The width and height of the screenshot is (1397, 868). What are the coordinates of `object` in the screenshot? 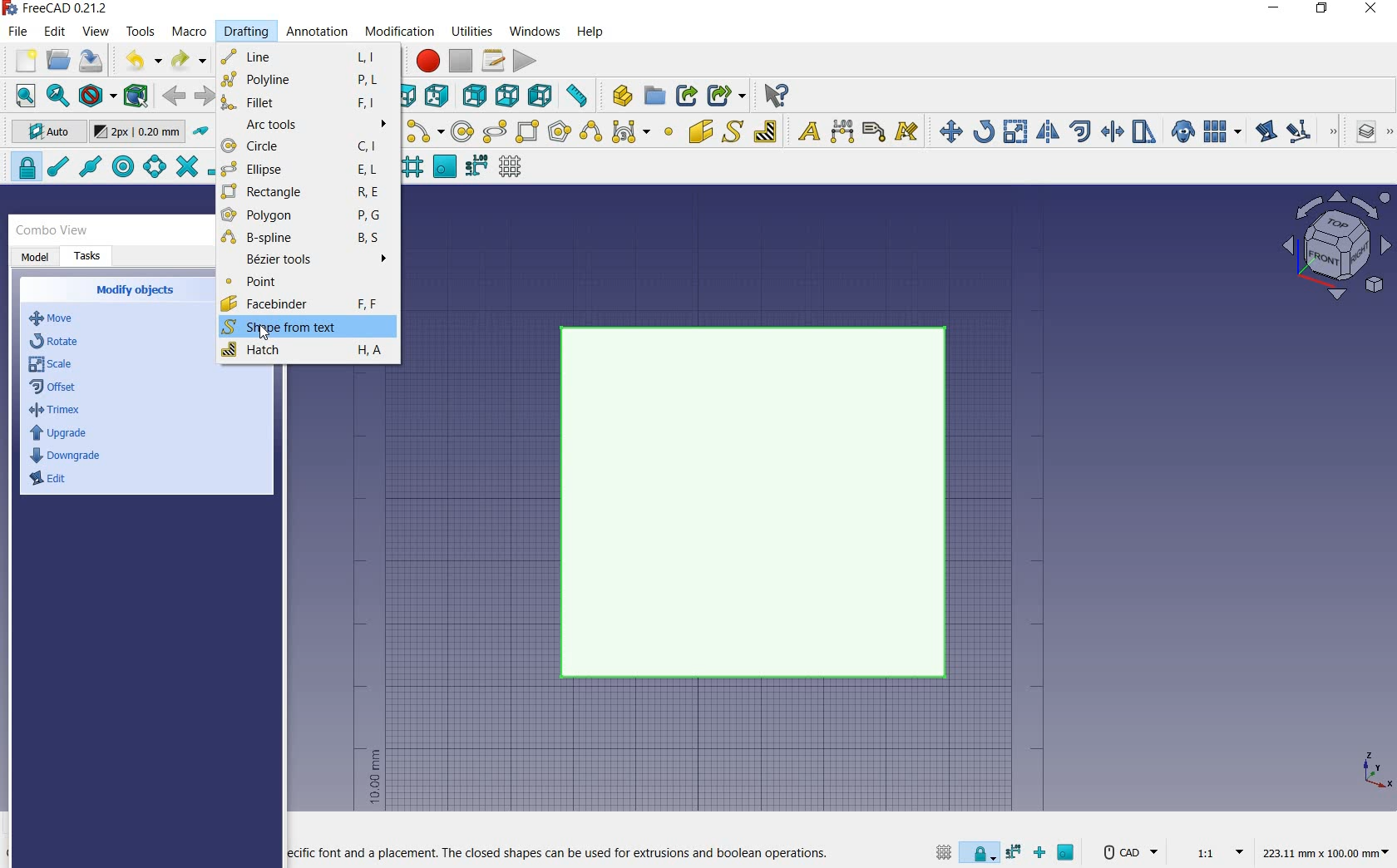 It's located at (760, 504).